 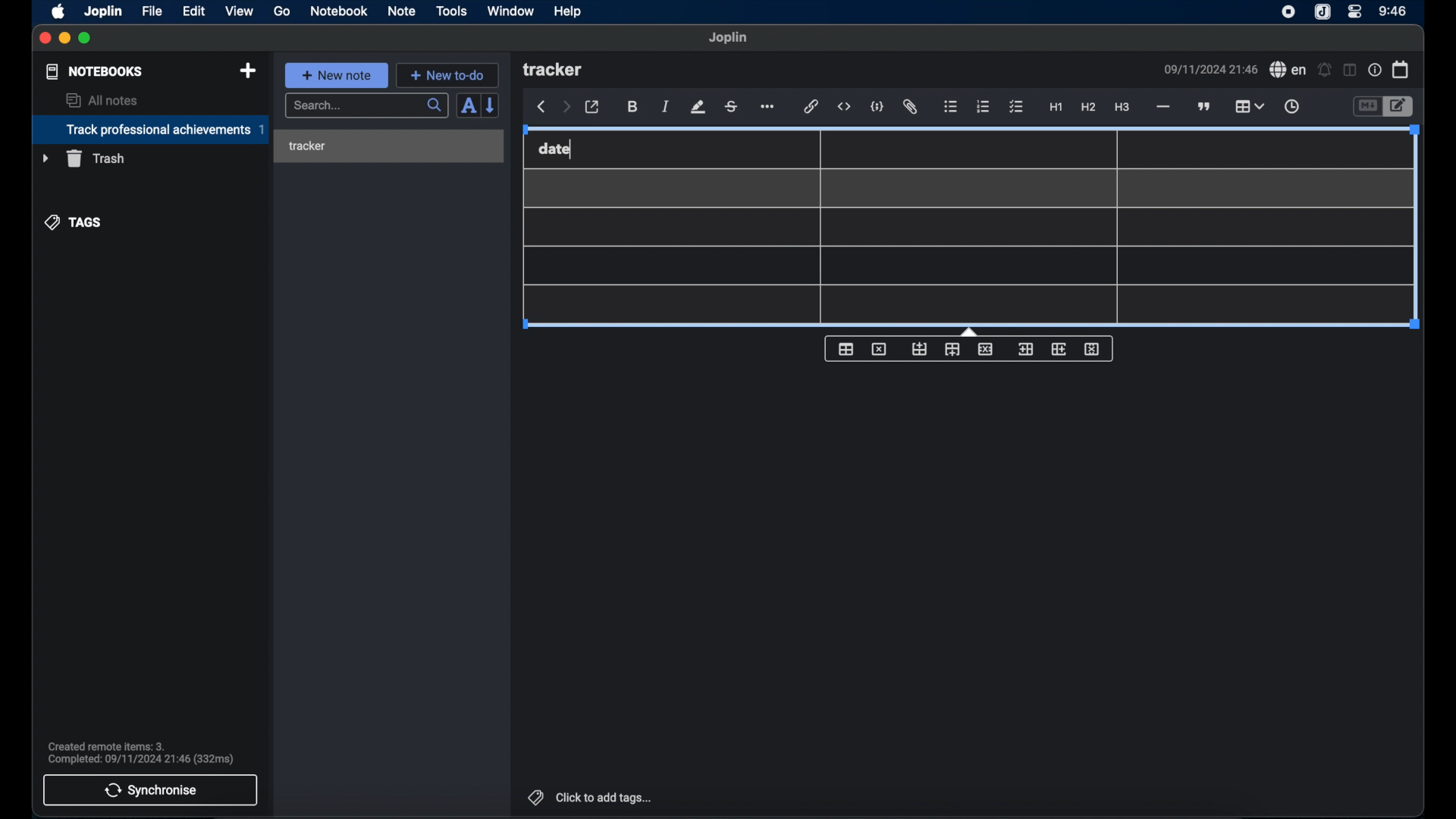 What do you see at coordinates (588, 797) in the screenshot?
I see `click to add tags` at bounding box center [588, 797].